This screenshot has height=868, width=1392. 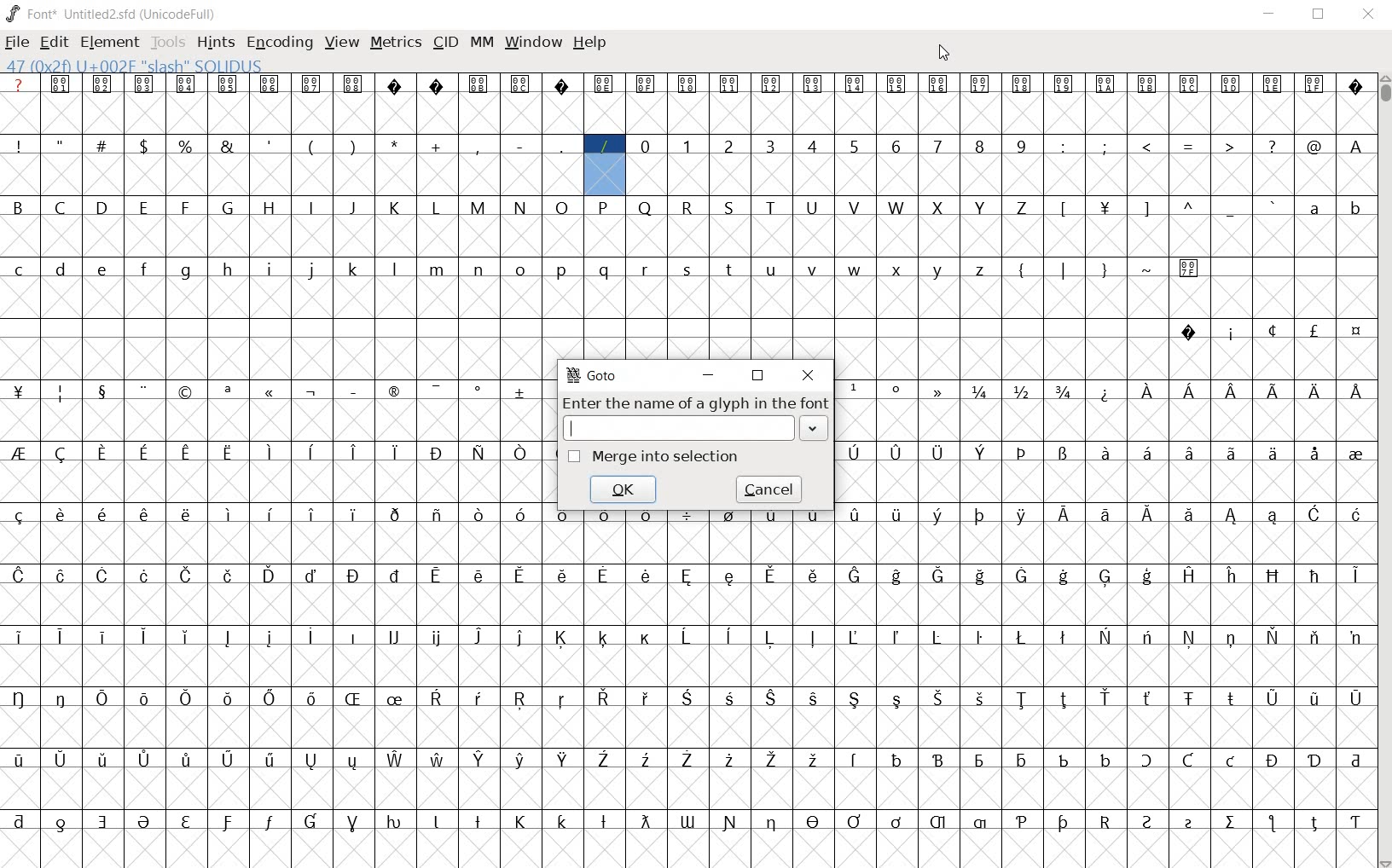 What do you see at coordinates (896, 822) in the screenshot?
I see `glyph` at bounding box center [896, 822].